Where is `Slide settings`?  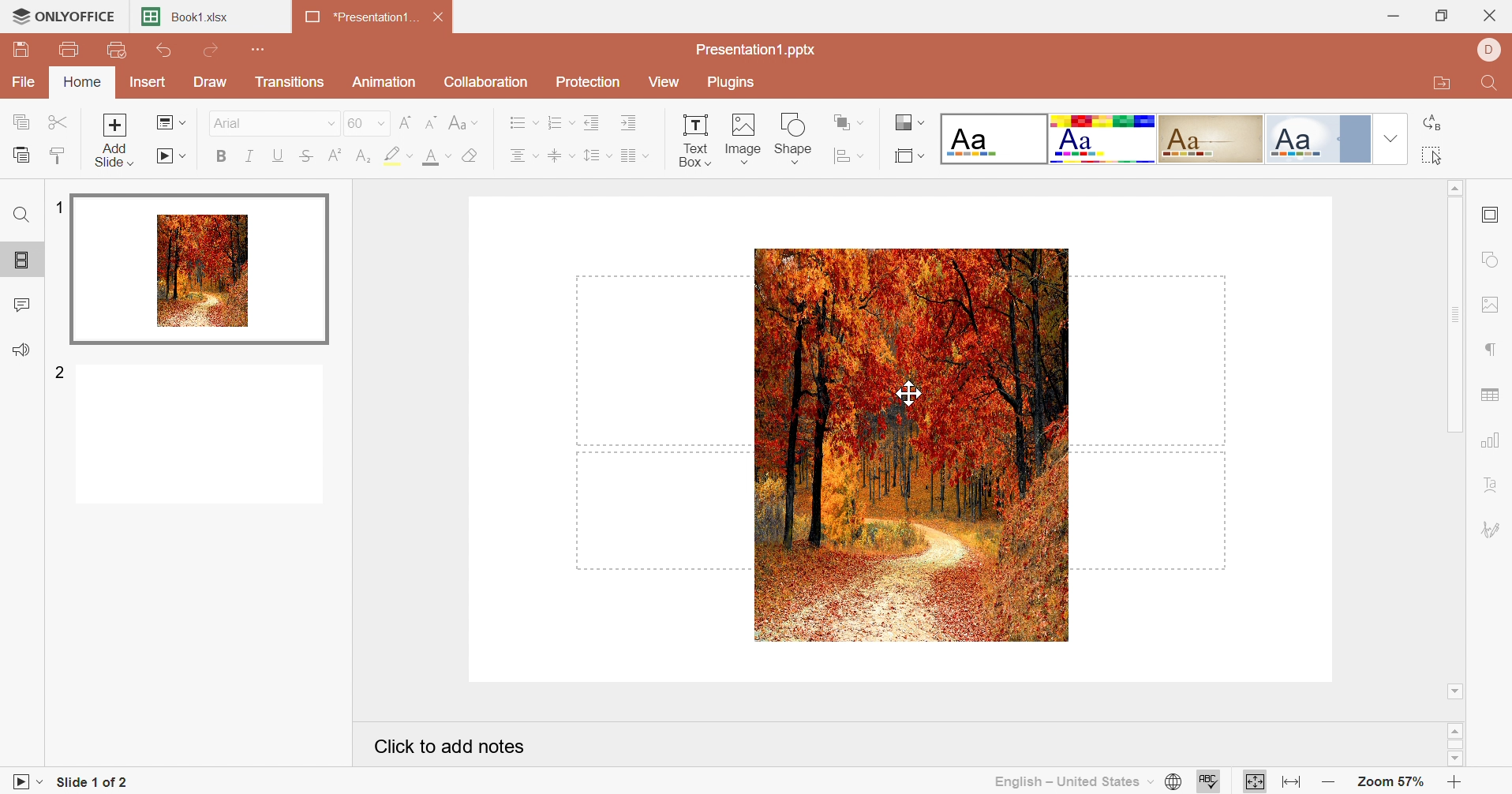 Slide settings is located at coordinates (1489, 214).